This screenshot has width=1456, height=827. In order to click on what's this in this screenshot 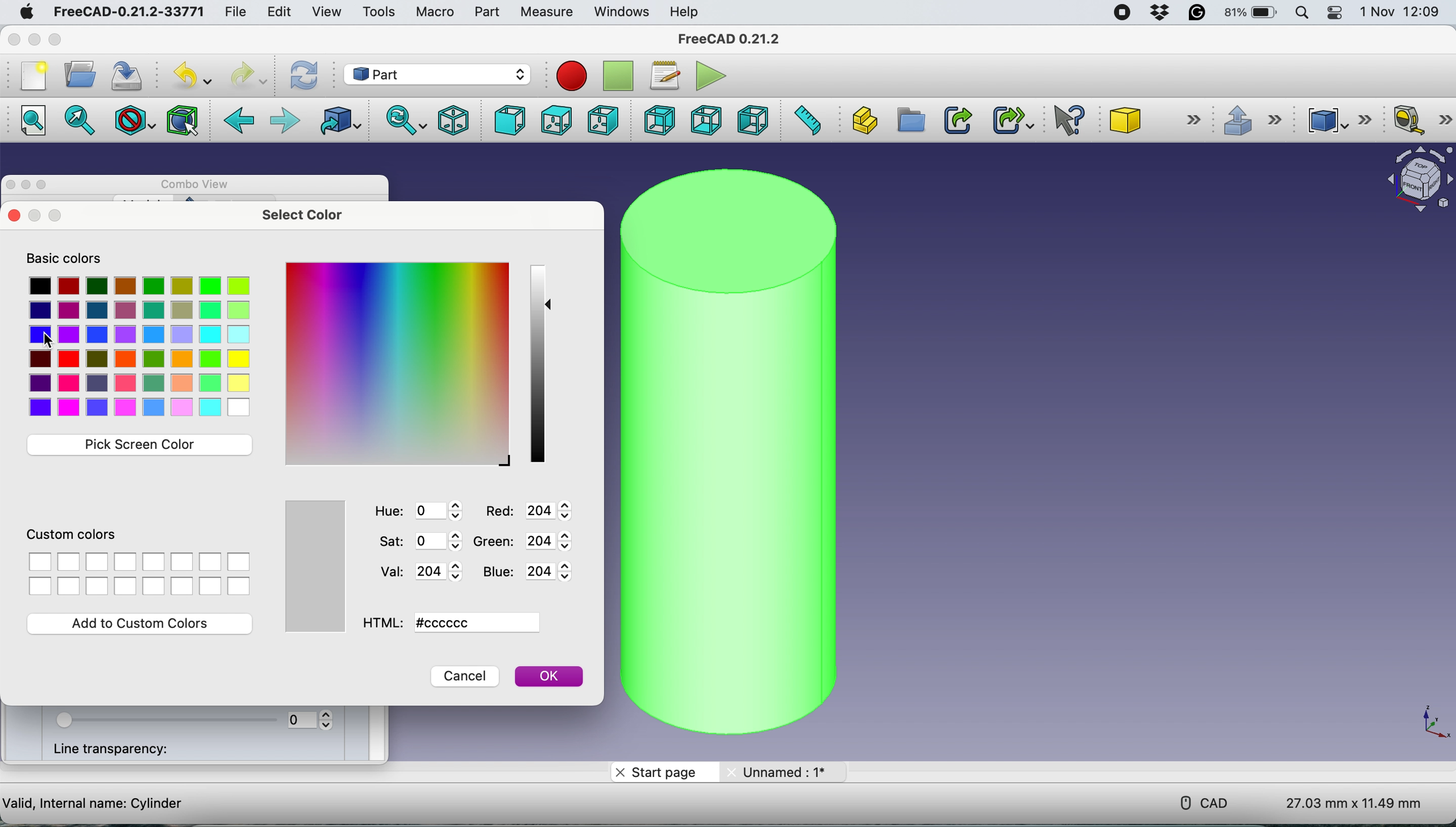, I will do `click(1063, 120)`.